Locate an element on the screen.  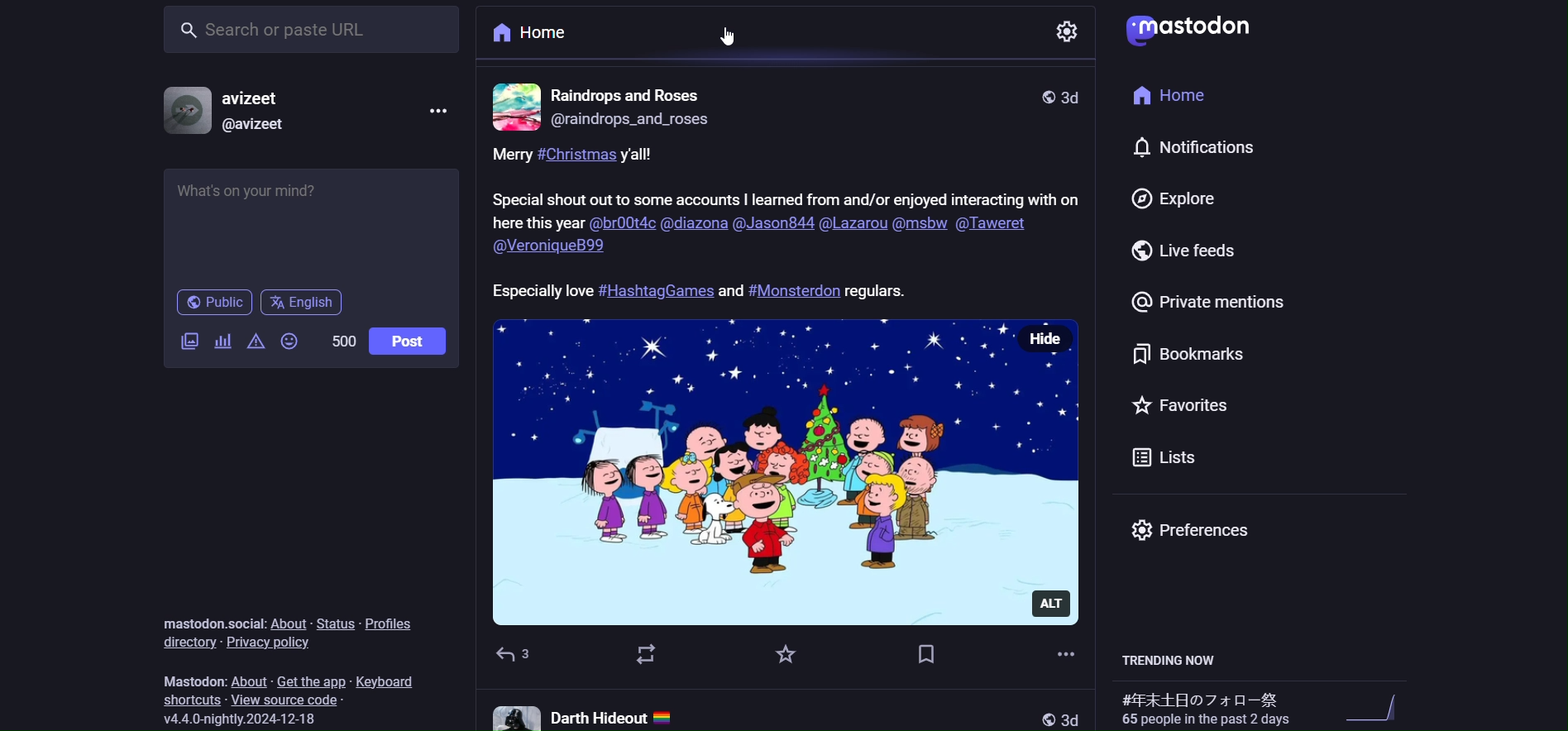
favorite is located at coordinates (1182, 403).